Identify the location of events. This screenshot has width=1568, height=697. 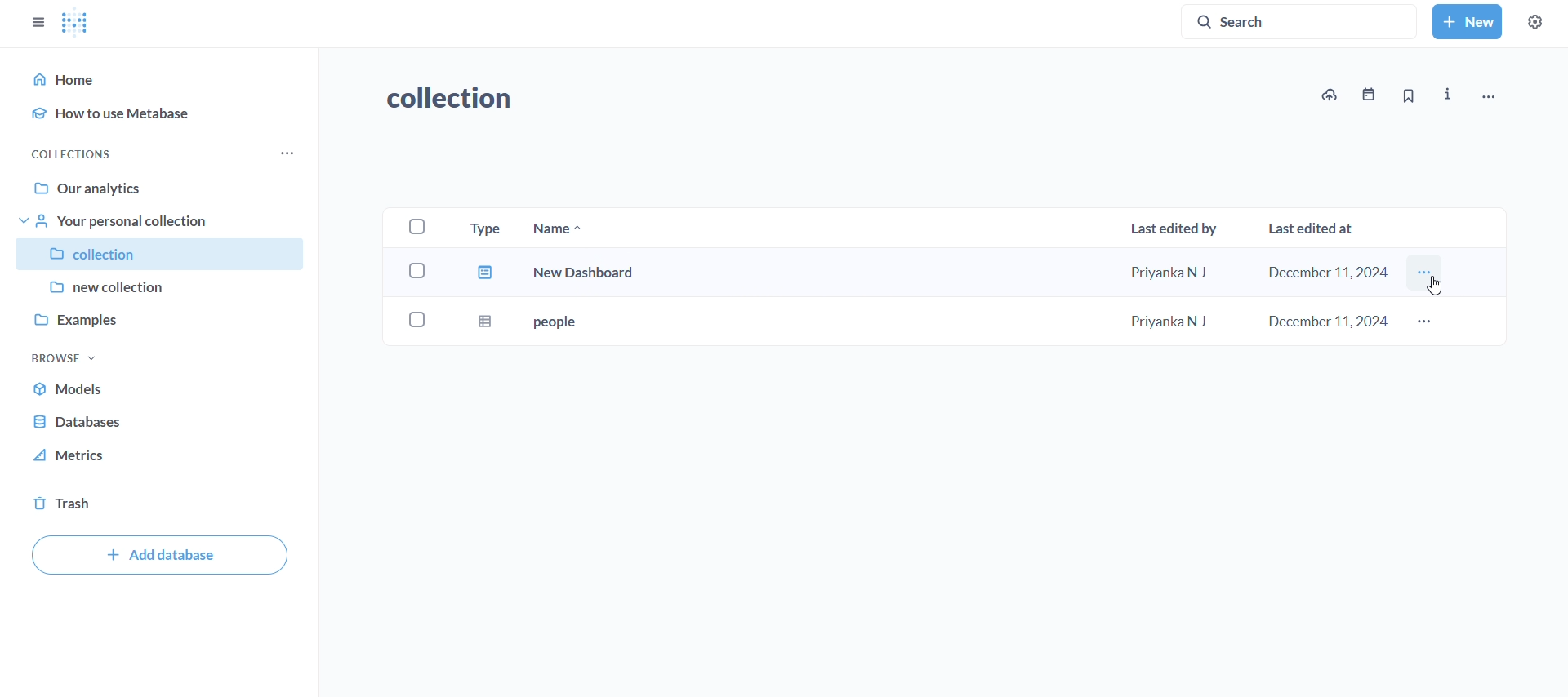
(1367, 95).